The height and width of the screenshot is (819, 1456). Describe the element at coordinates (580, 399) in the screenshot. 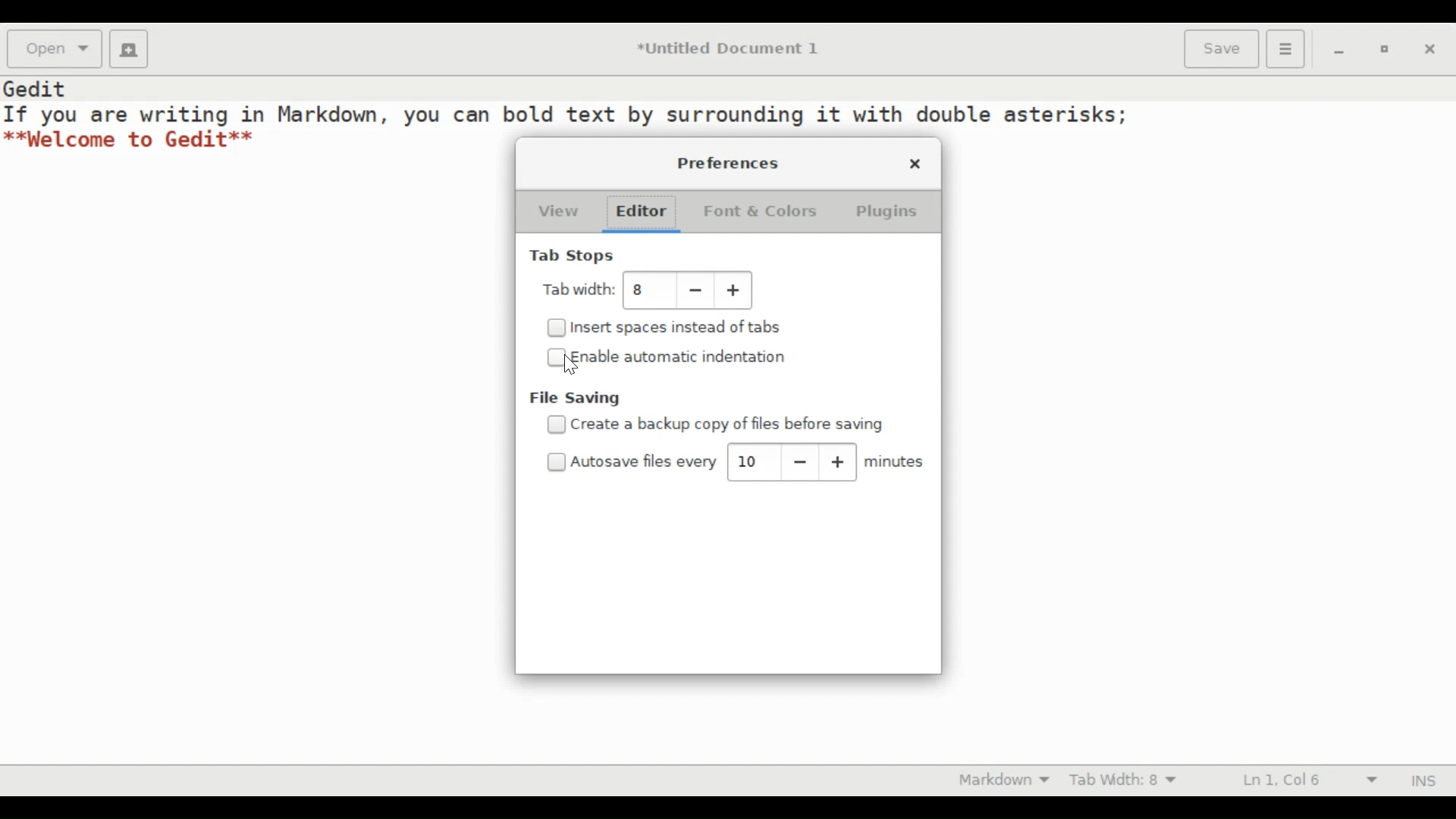

I see `File saving` at that location.